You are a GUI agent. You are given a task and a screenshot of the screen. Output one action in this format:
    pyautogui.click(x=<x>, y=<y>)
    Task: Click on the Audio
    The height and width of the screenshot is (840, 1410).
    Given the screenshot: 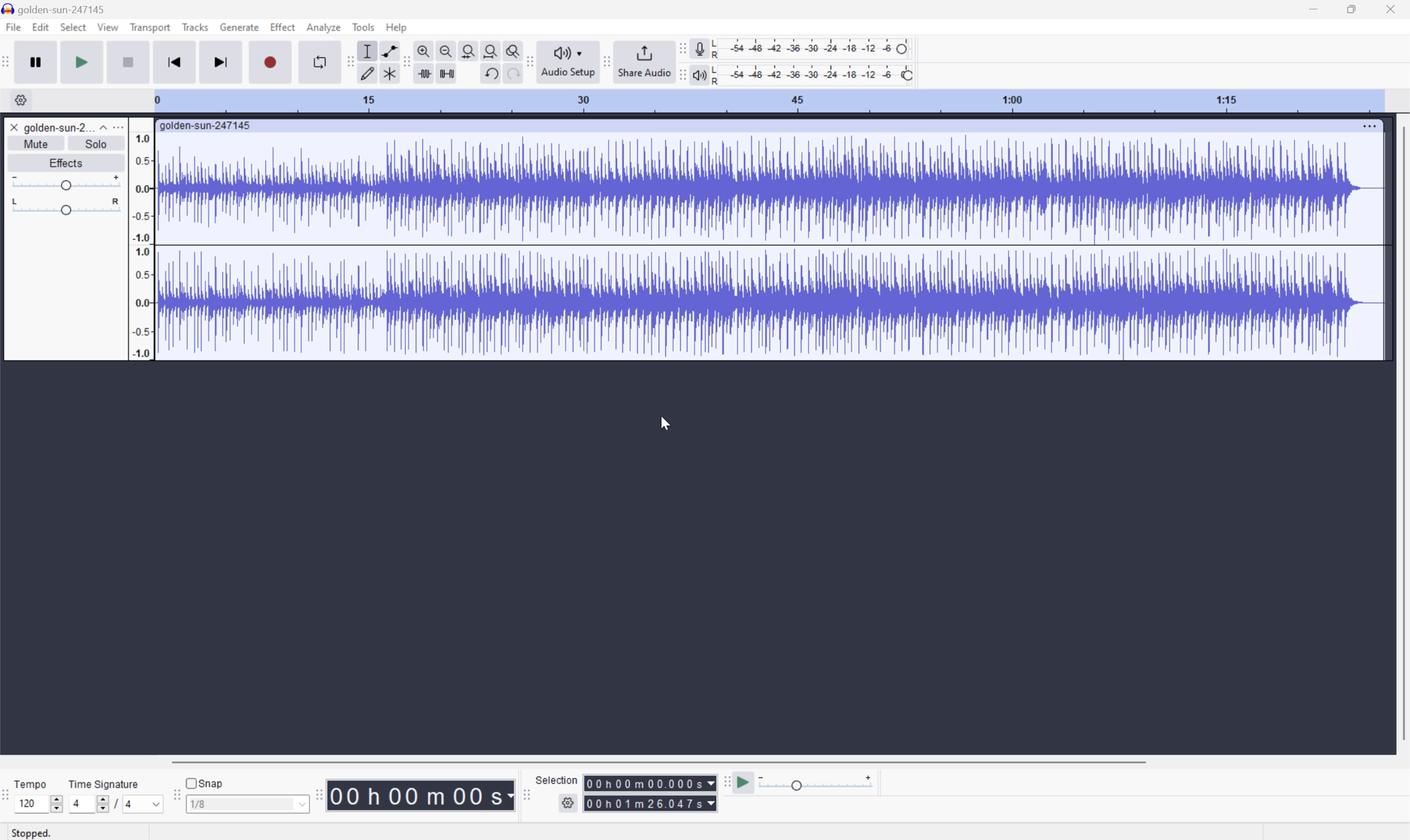 What is the action you would take?
    pyautogui.click(x=770, y=247)
    